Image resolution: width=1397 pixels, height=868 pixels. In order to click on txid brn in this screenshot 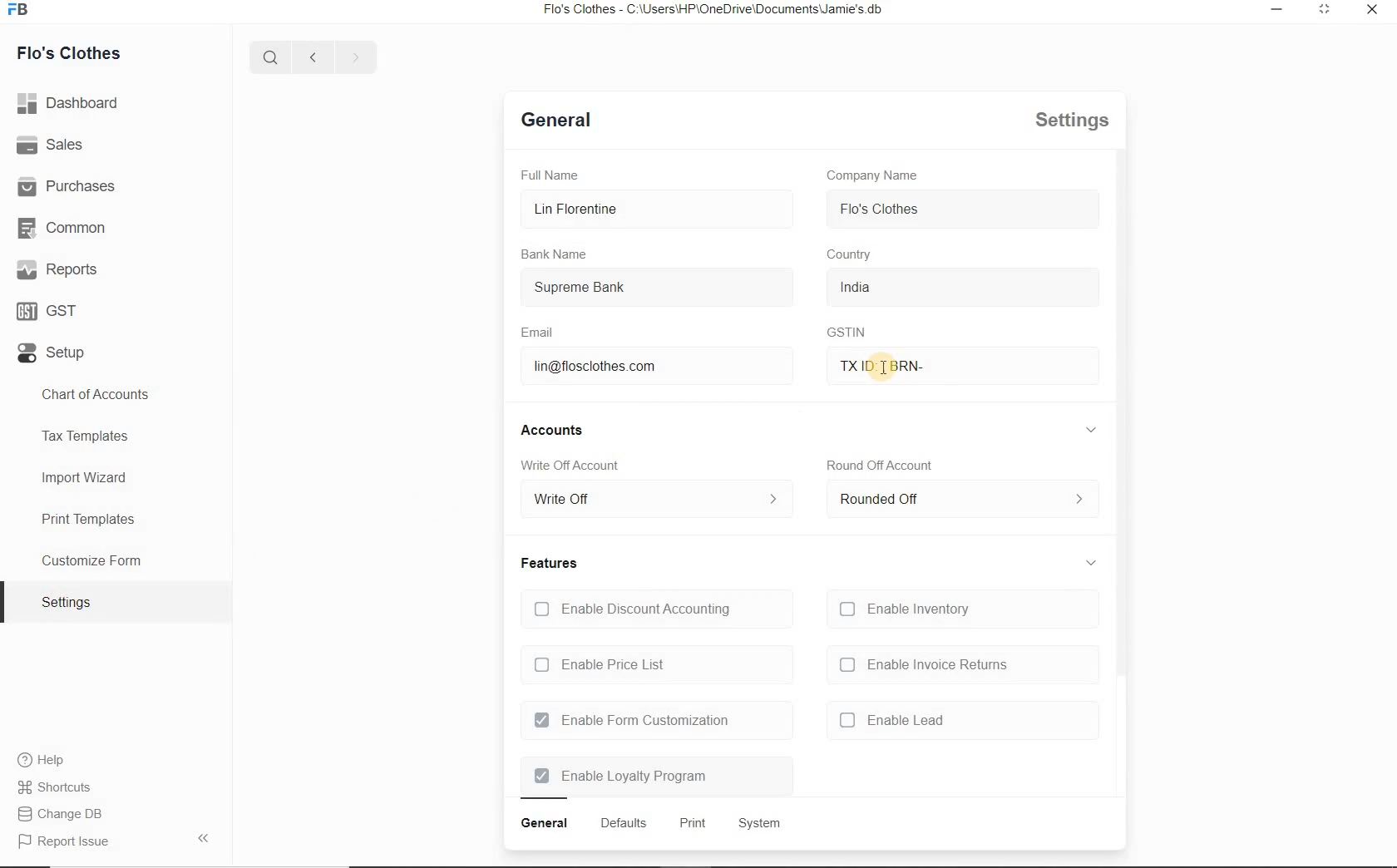, I will do `click(885, 366)`.